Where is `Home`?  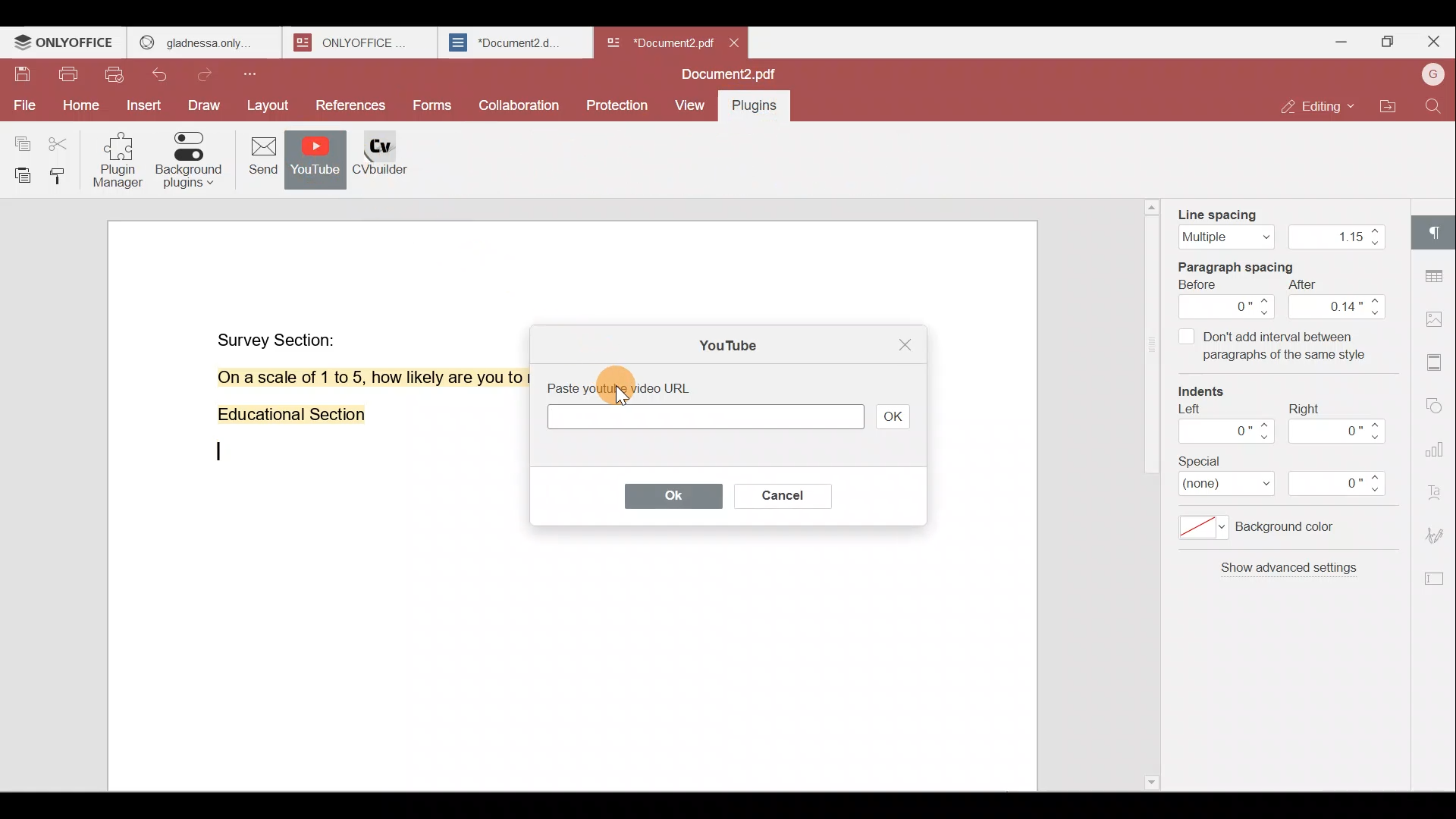
Home is located at coordinates (78, 108).